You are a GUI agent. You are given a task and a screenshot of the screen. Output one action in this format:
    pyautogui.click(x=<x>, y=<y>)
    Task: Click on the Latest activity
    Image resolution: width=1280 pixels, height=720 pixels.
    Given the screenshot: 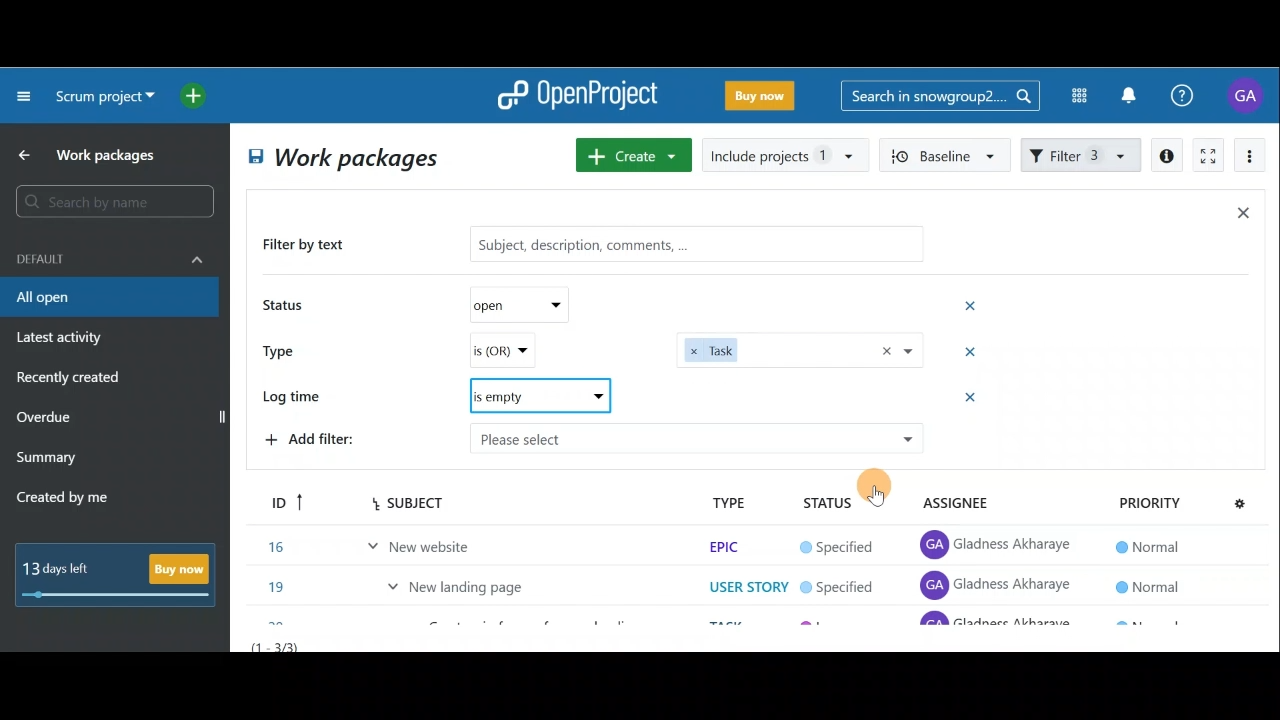 What is the action you would take?
    pyautogui.click(x=62, y=340)
    